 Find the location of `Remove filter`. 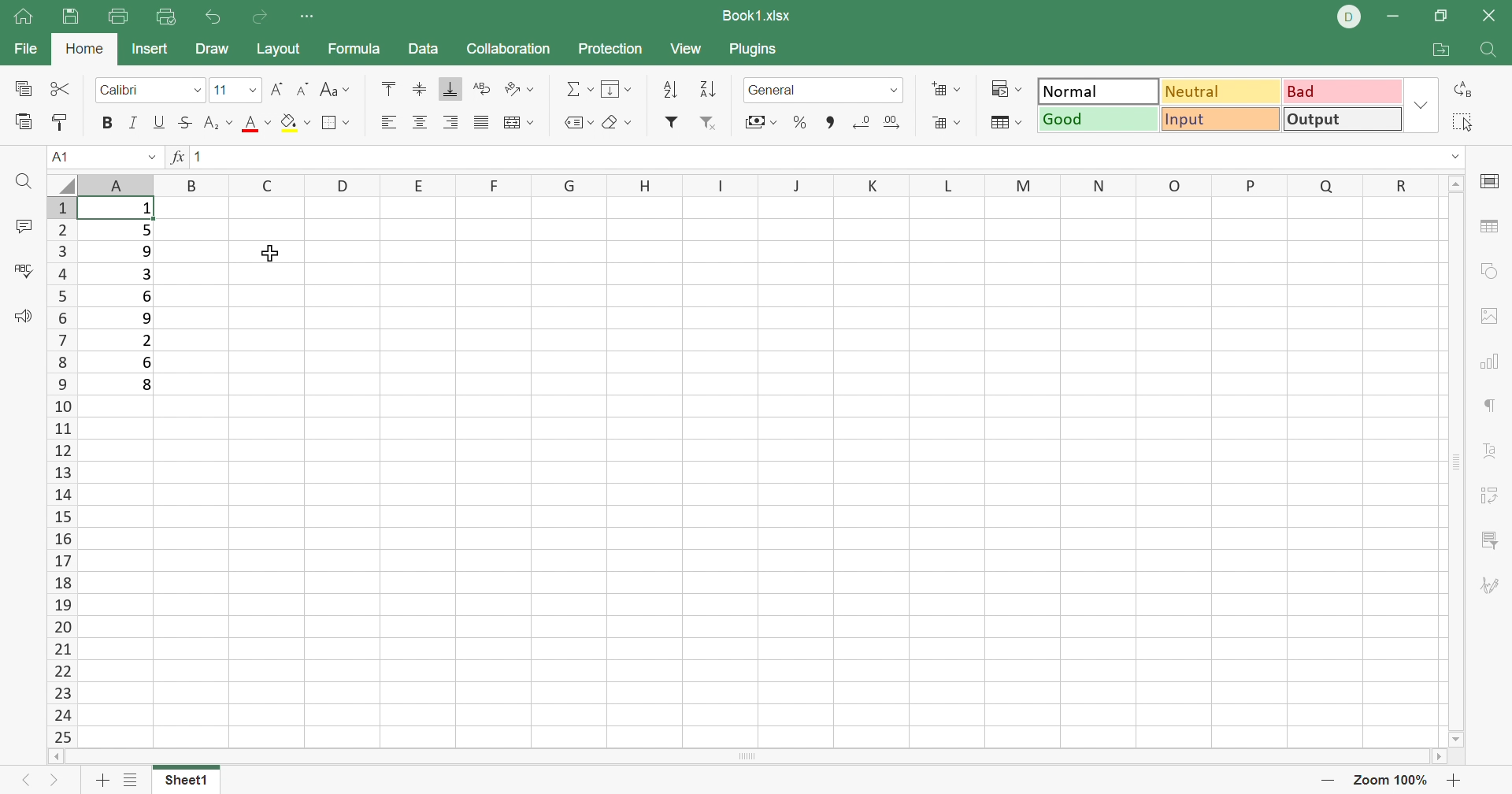

Remove filter is located at coordinates (711, 122).